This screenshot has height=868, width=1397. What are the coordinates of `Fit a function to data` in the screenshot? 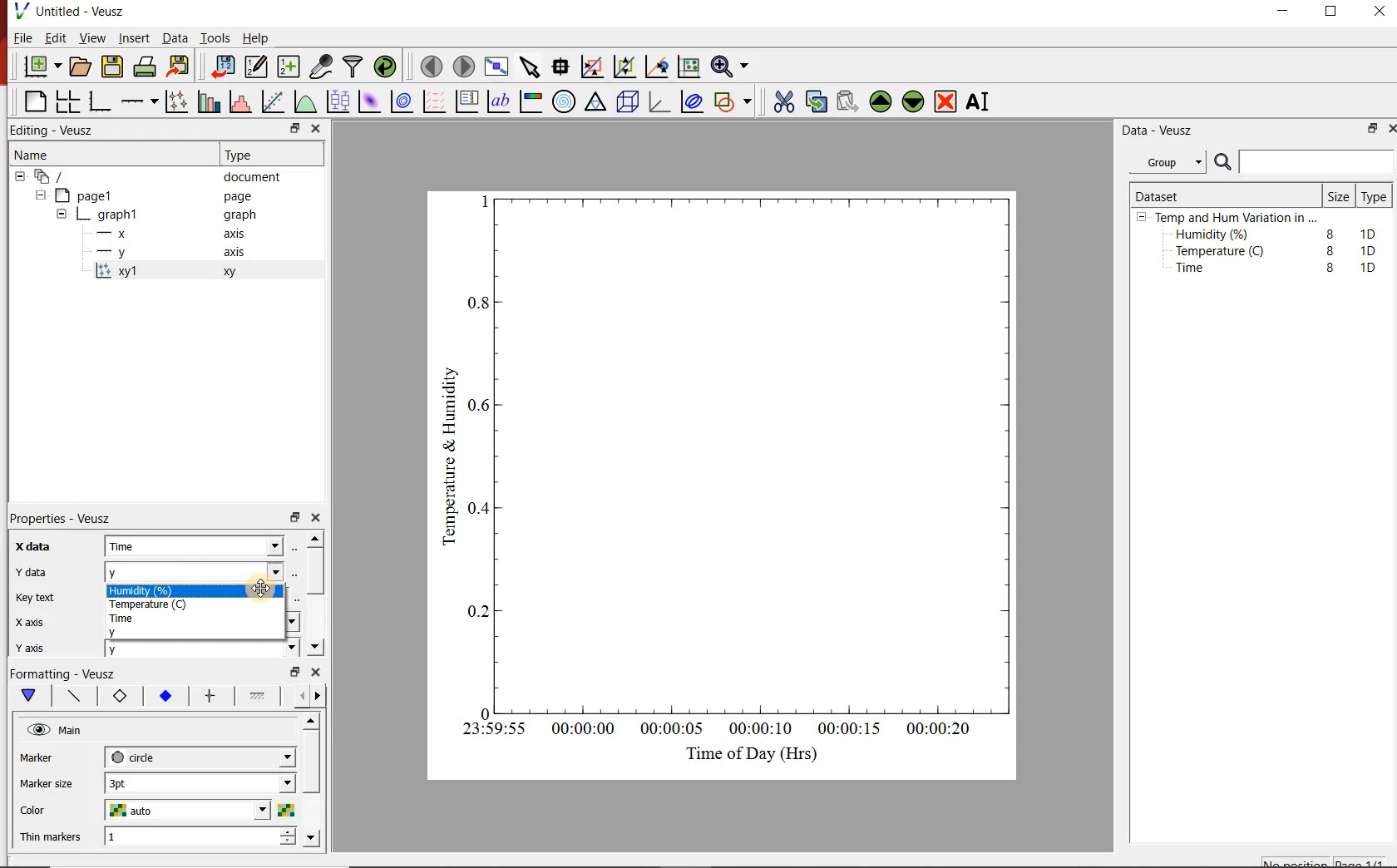 It's located at (274, 101).